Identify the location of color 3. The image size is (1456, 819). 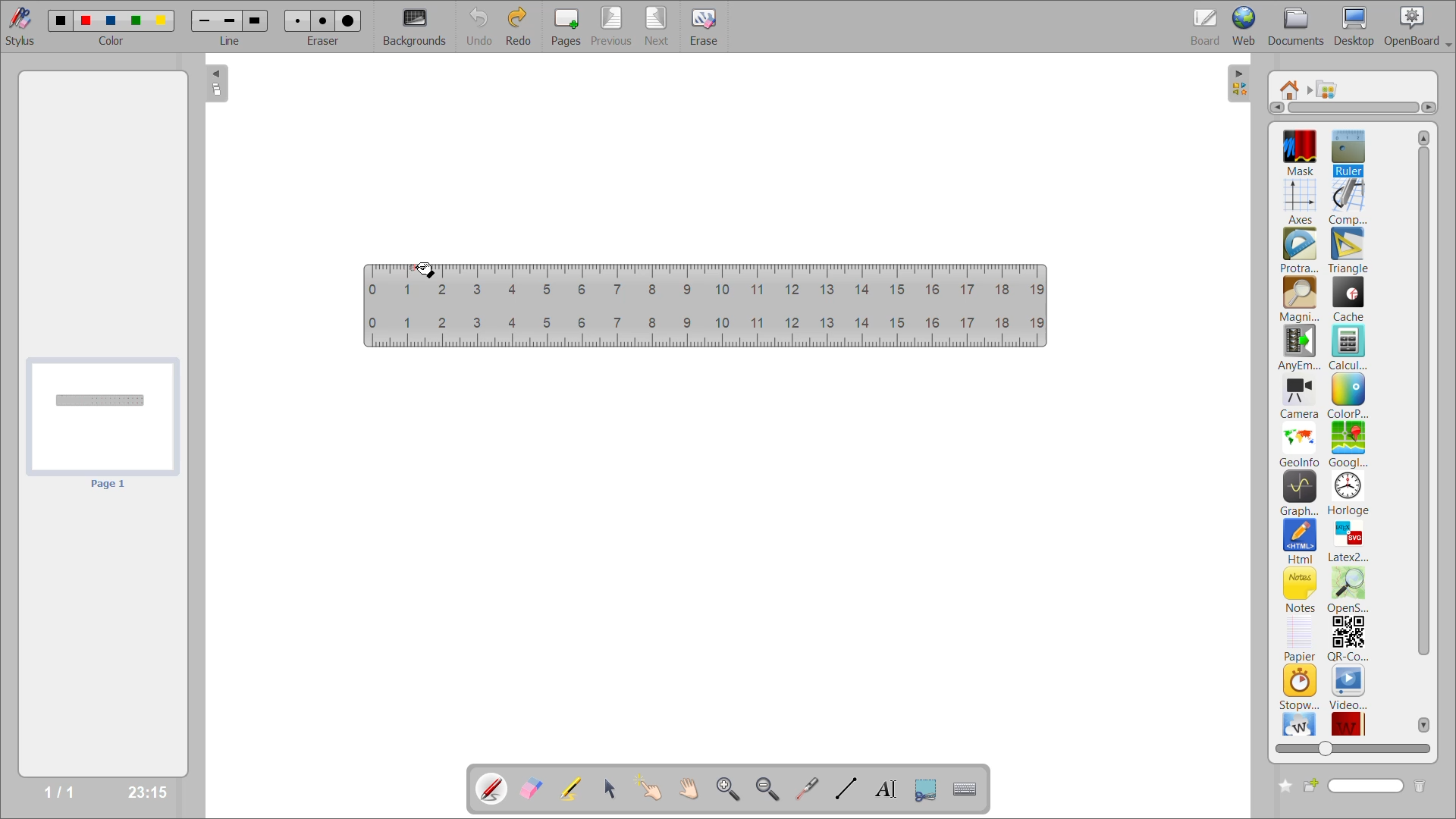
(110, 20).